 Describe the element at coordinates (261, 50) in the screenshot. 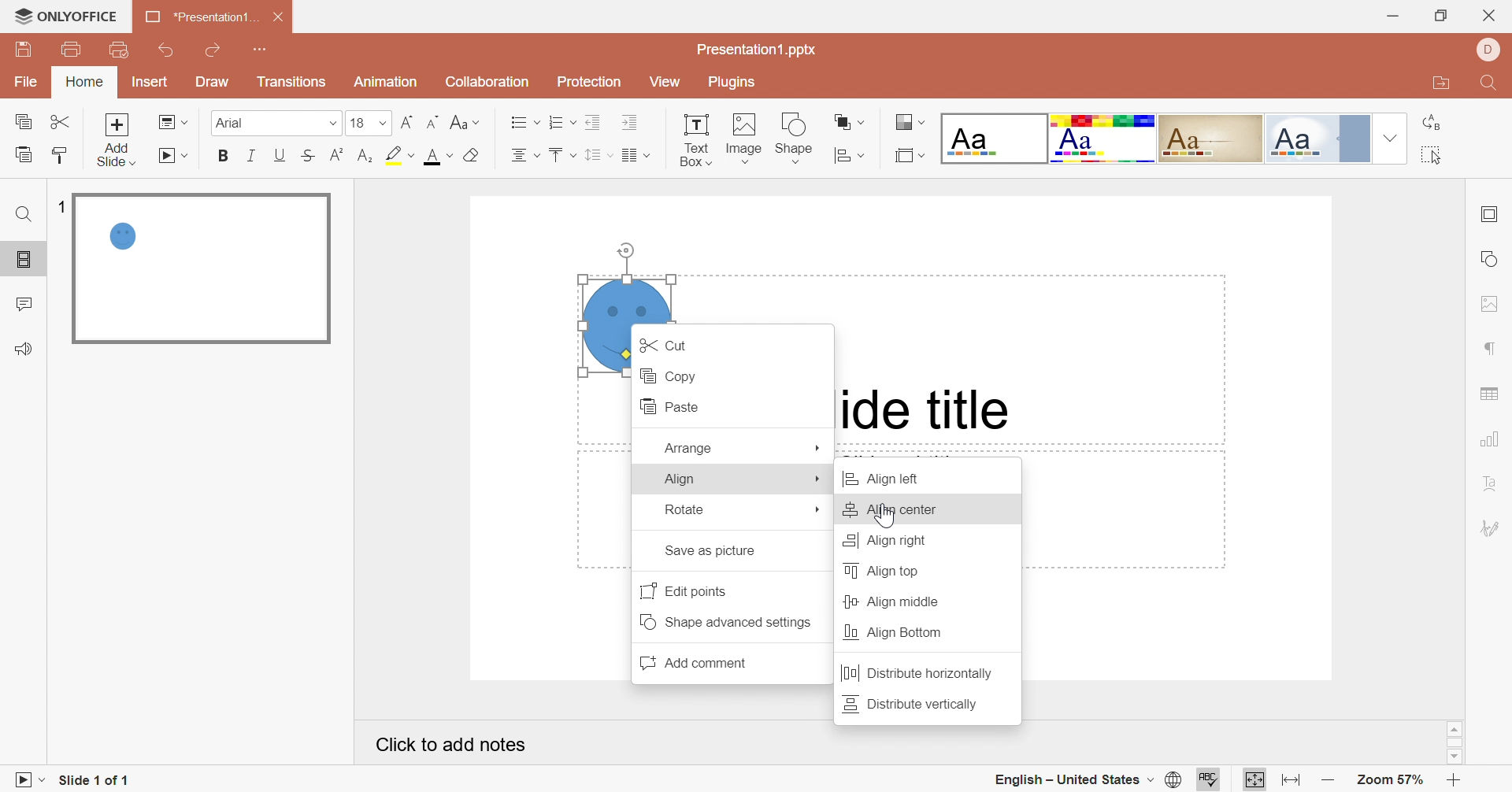

I see `Customize quick access toolbar` at that location.